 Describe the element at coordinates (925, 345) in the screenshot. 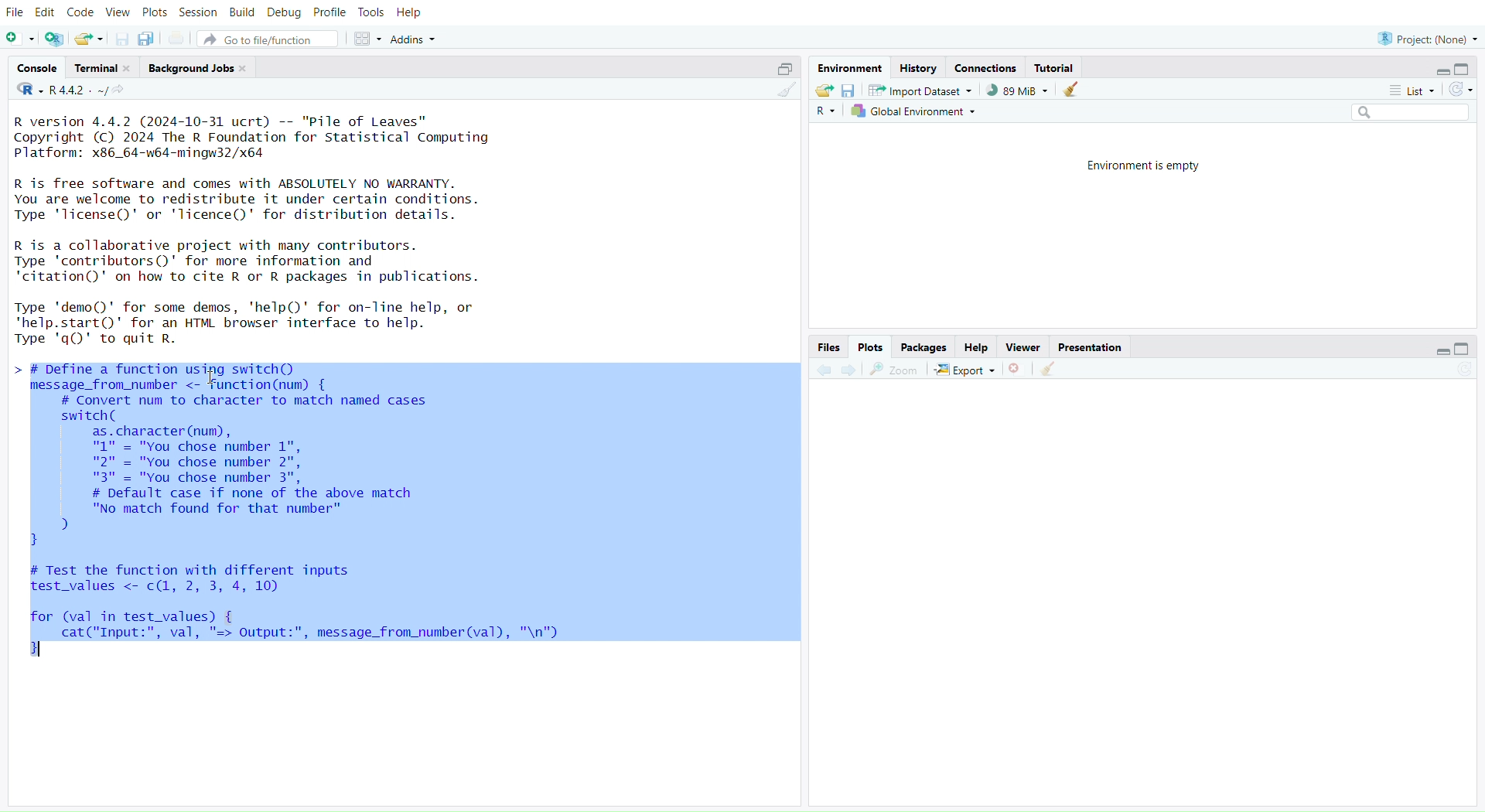

I see `Packages` at that location.